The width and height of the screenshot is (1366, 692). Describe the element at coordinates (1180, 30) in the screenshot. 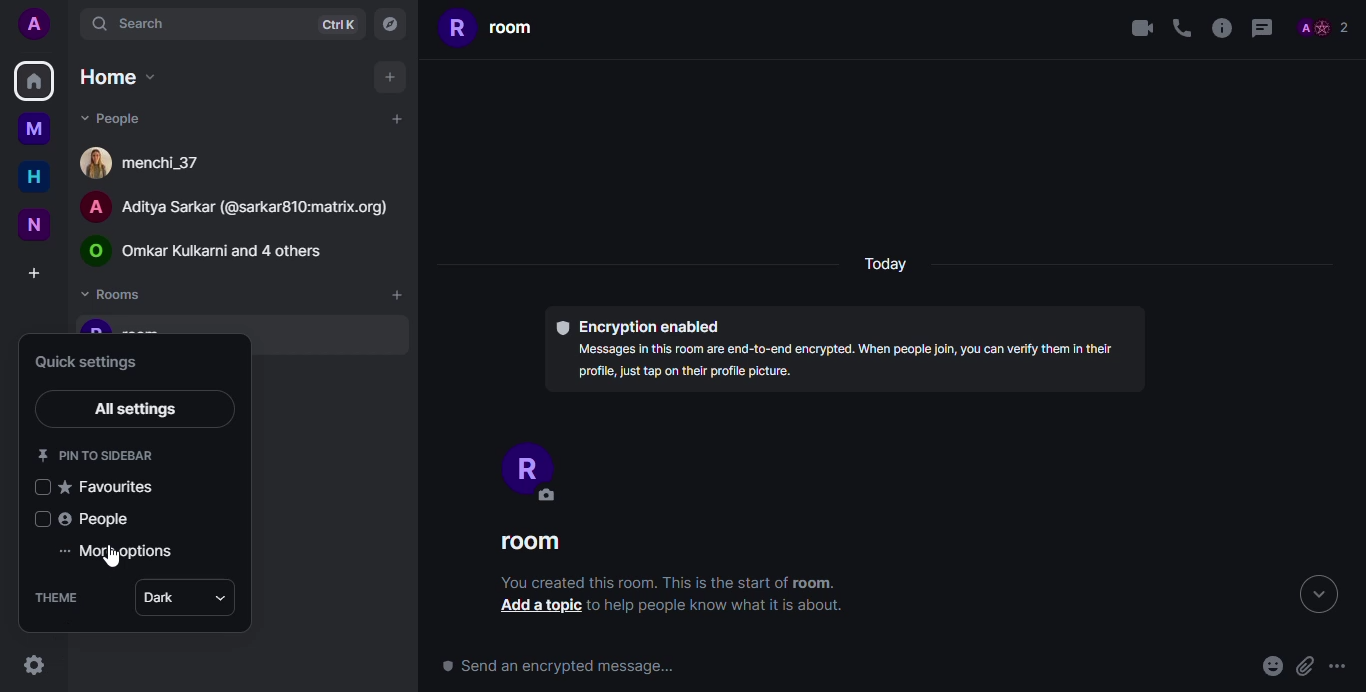

I see `voice call` at that location.